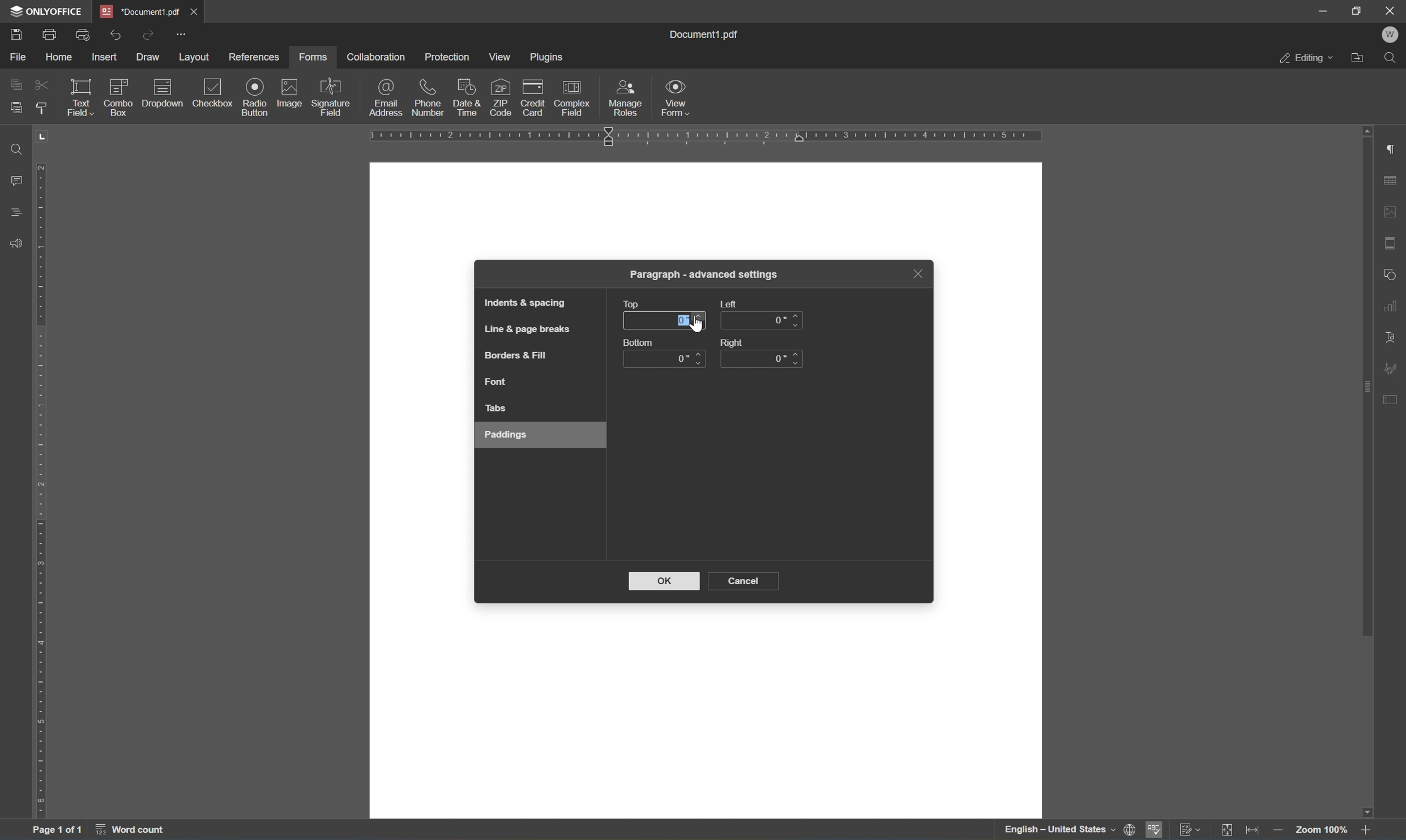  Describe the element at coordinates (1392, 36) in the screenshot. I see `W` at that location.